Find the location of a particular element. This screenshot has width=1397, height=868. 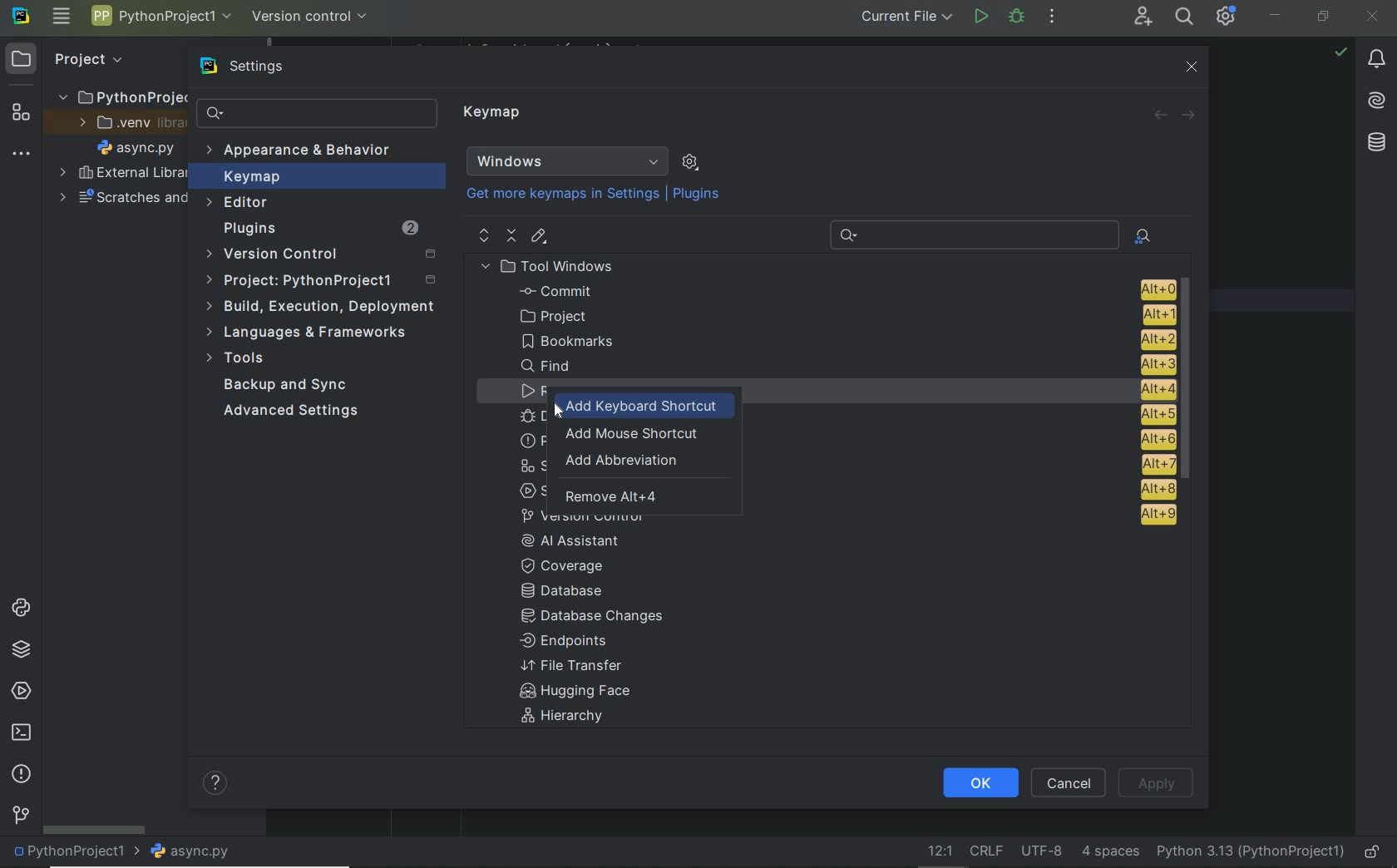

terminal is located at coordinates (20, 733).